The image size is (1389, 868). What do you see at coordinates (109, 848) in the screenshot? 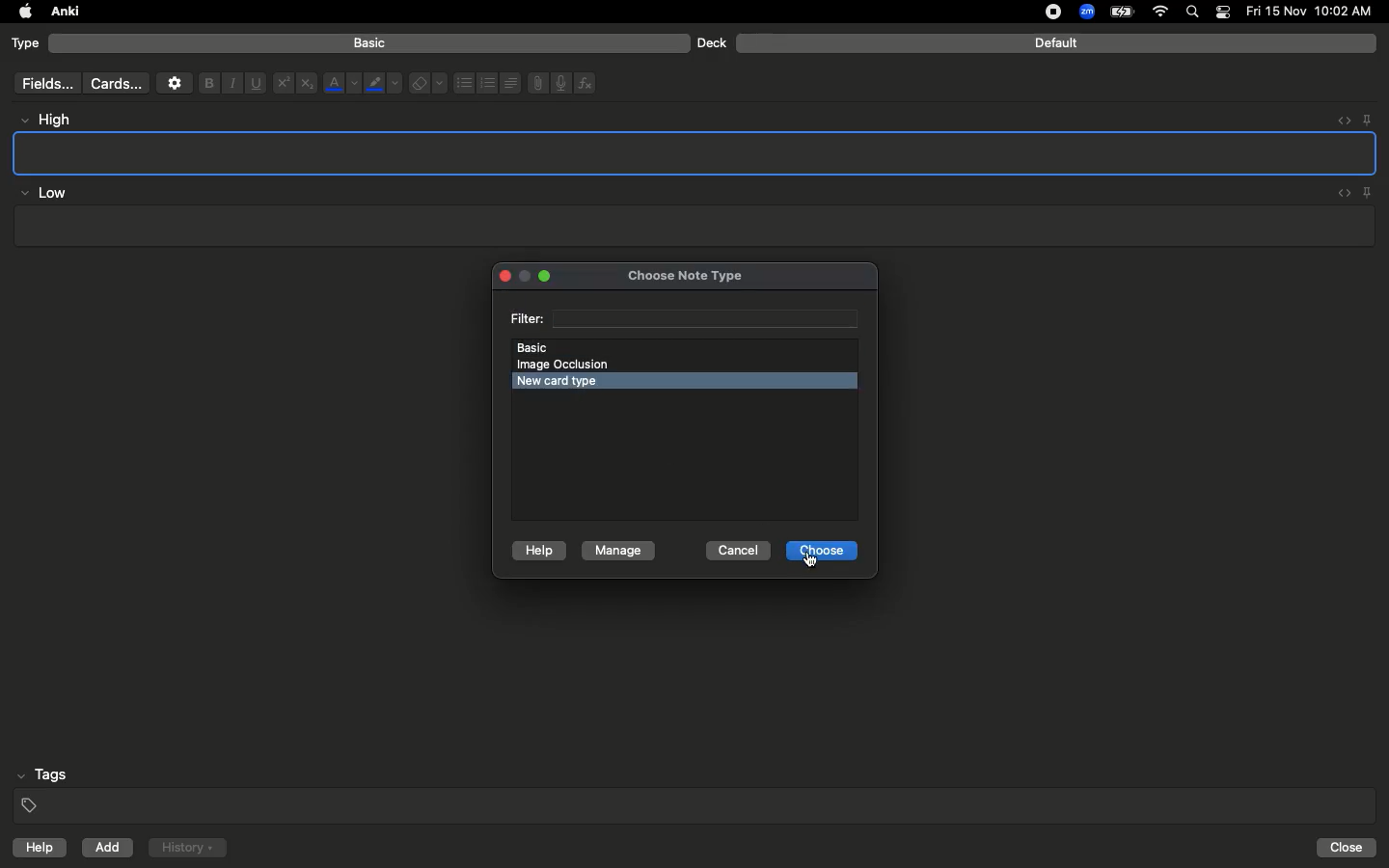
I see `Add` at bounding box center [109, 848].